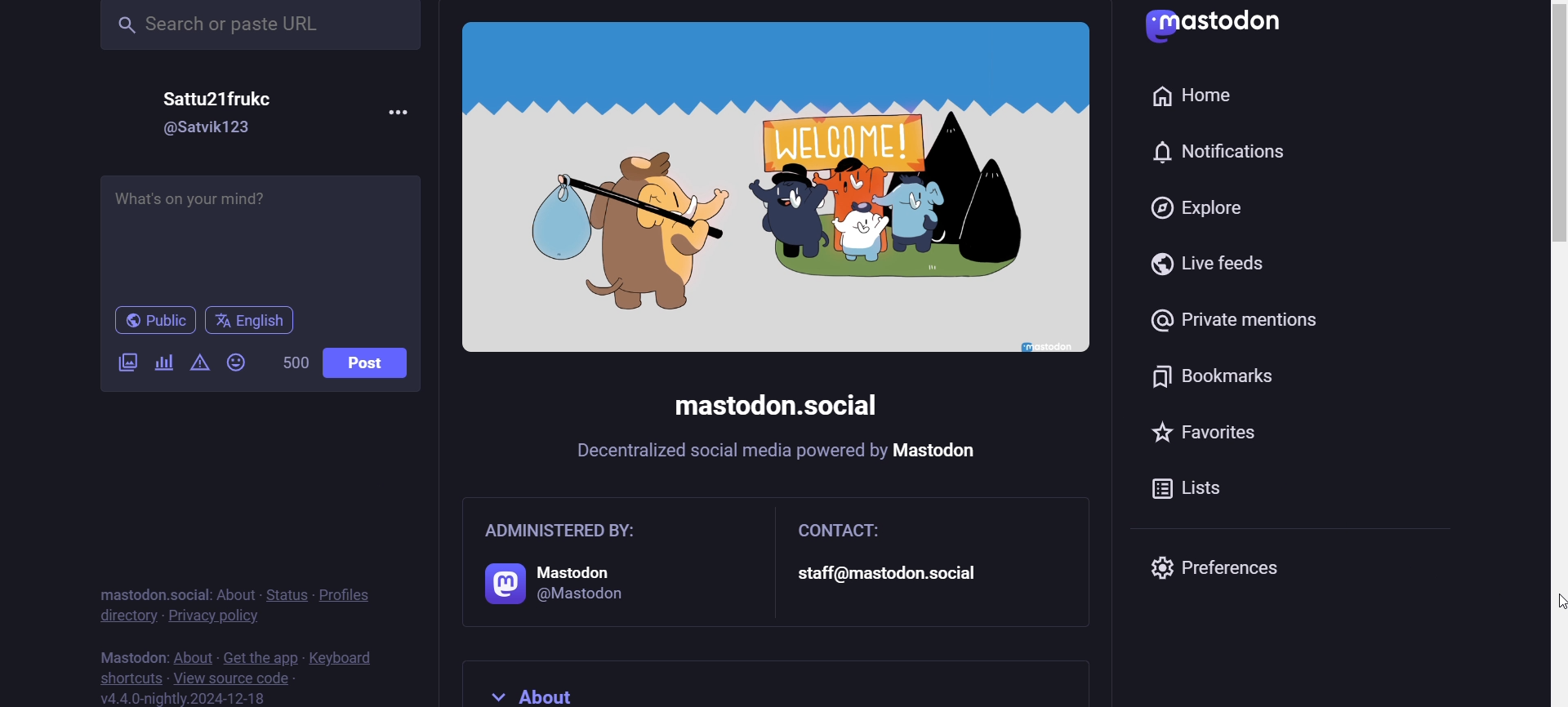  Describe the element at coordinates (1230, 149) in the screenshot. I see `notification` at that location.